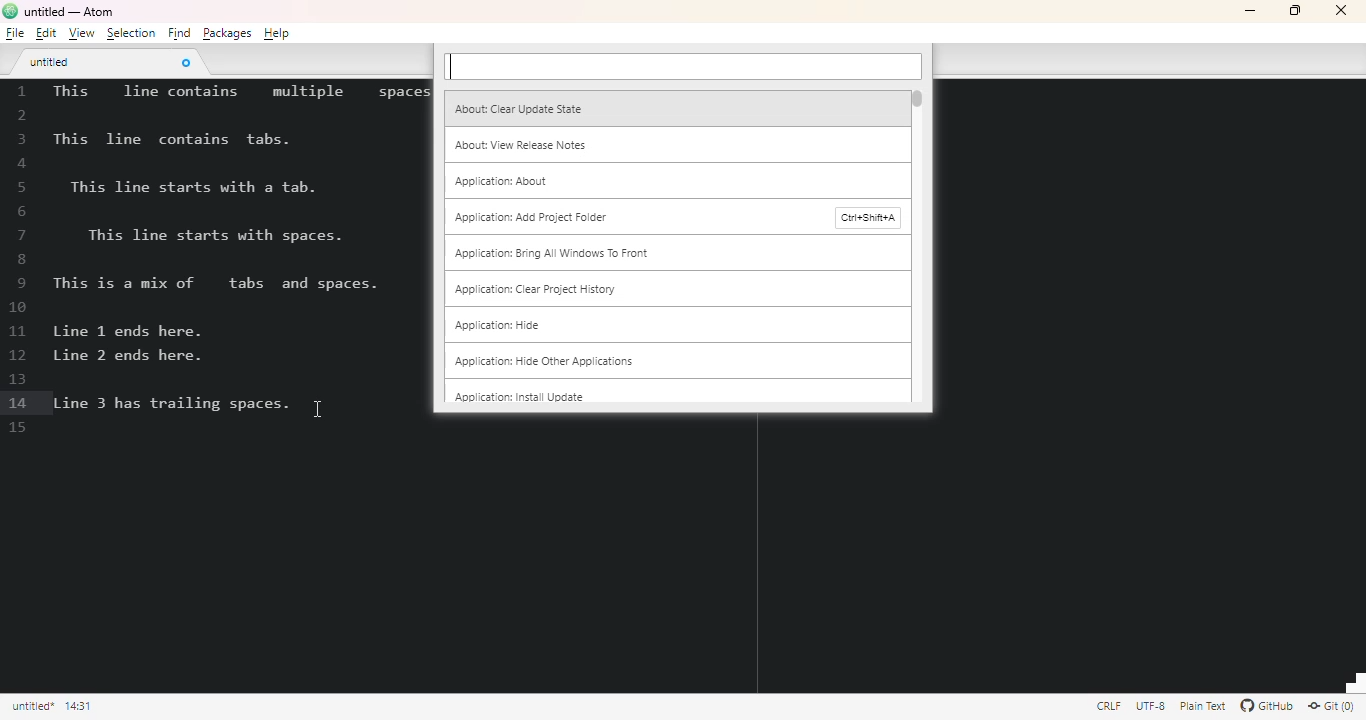  What do you see at coordinates (1330, 705) in the screenshot?
I see `Git(0)` at bounding box center [1330, 705].